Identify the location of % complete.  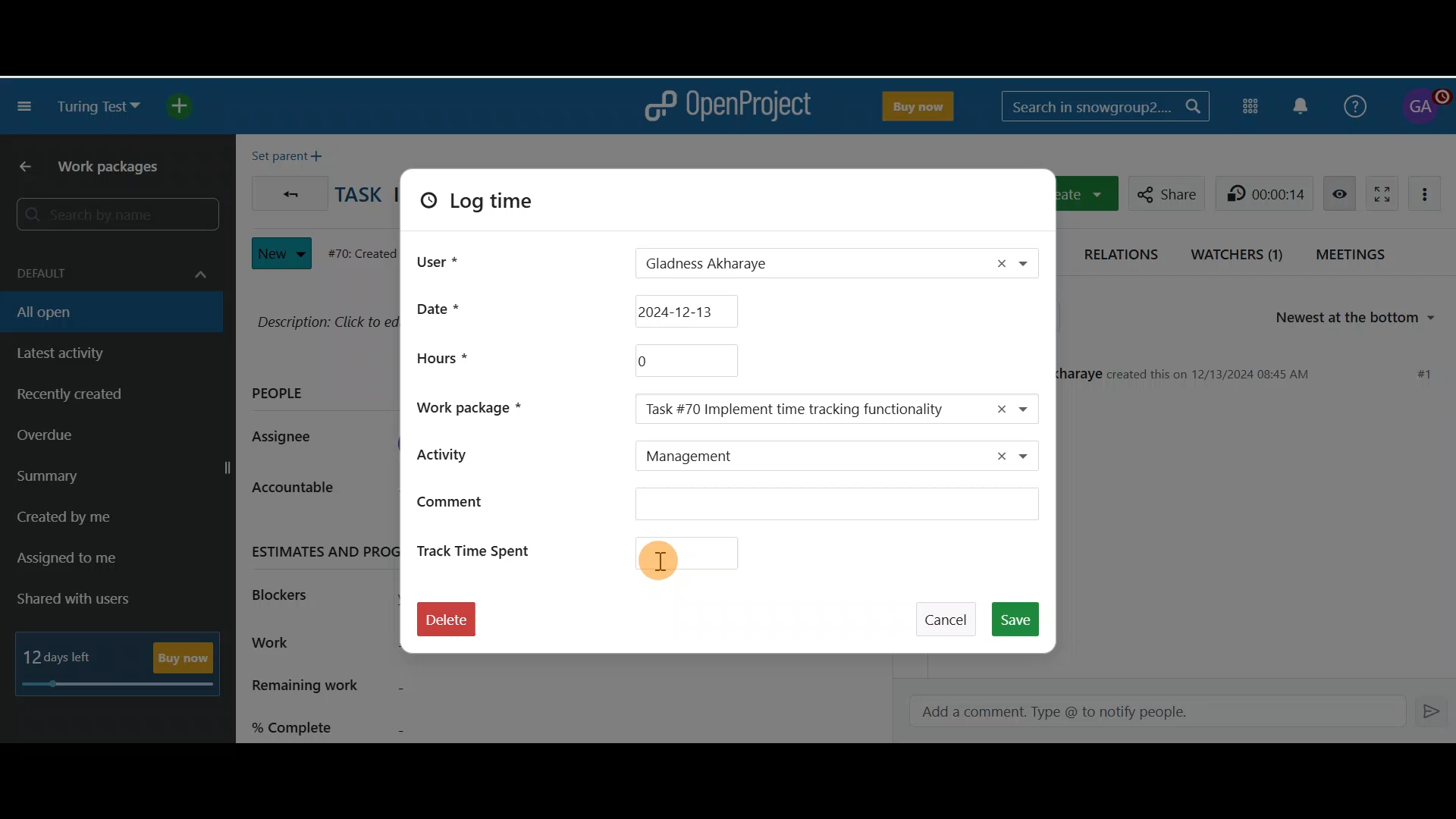
(404, 724).